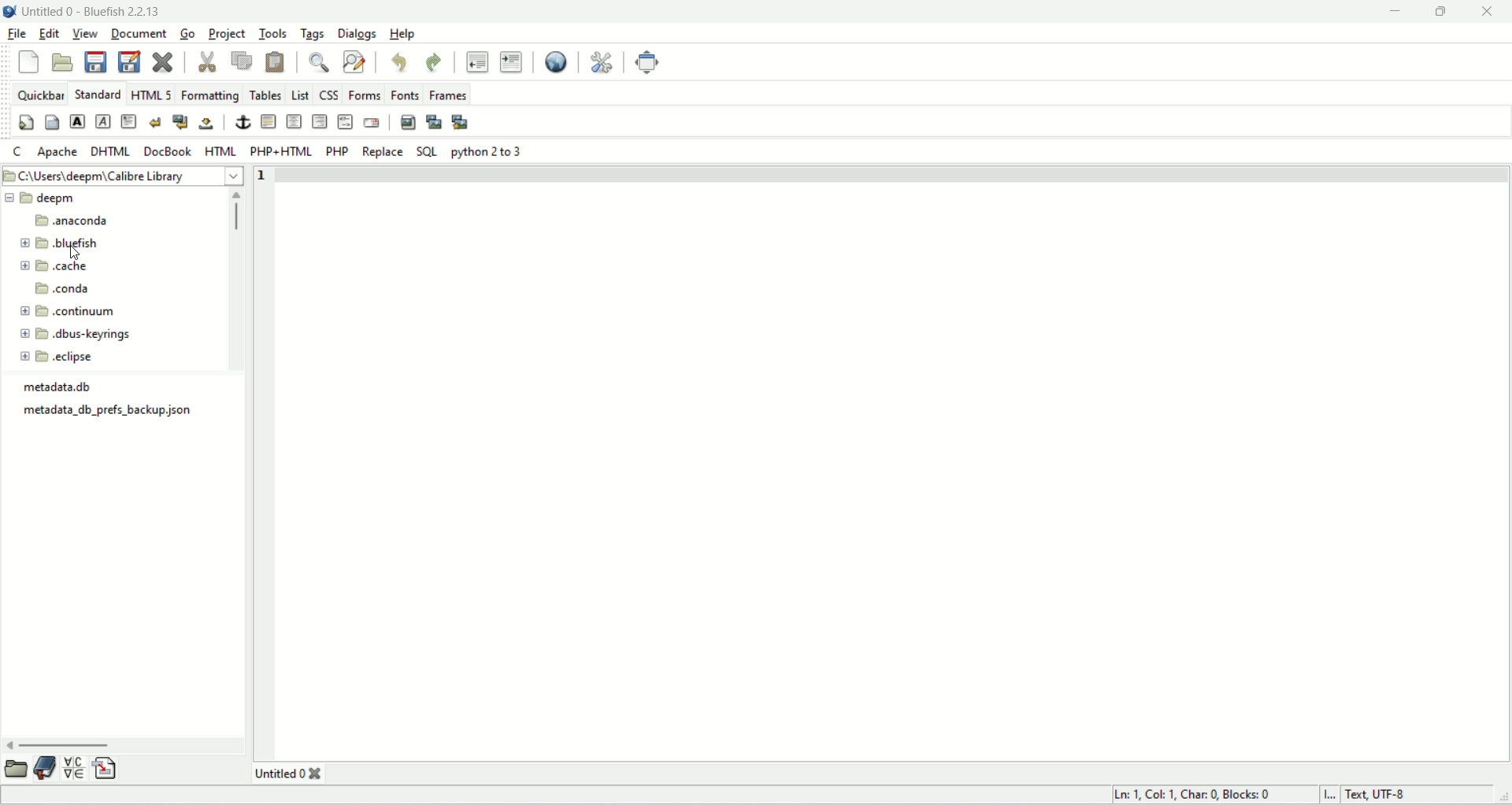 Image resolution: width=1512 pixels, height=805 pixels. I want to click on replace, so click(384, 151).